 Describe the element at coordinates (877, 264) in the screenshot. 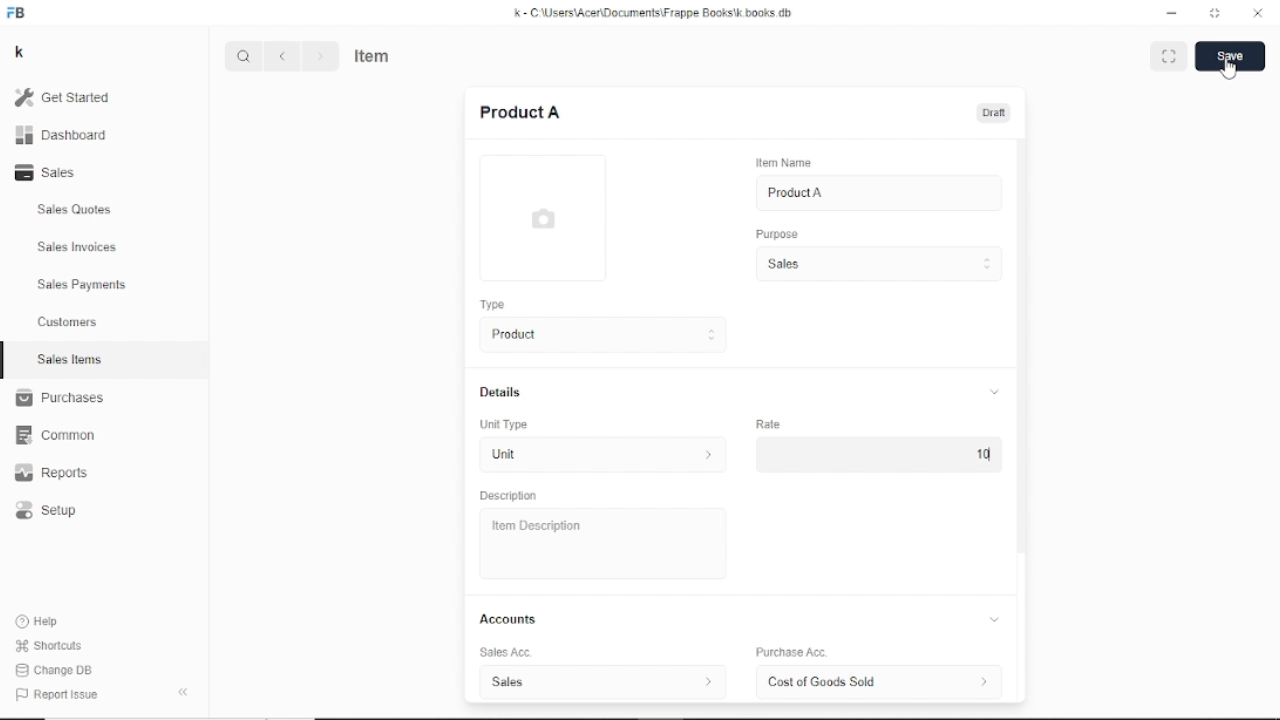

I see `Sales` at that location.